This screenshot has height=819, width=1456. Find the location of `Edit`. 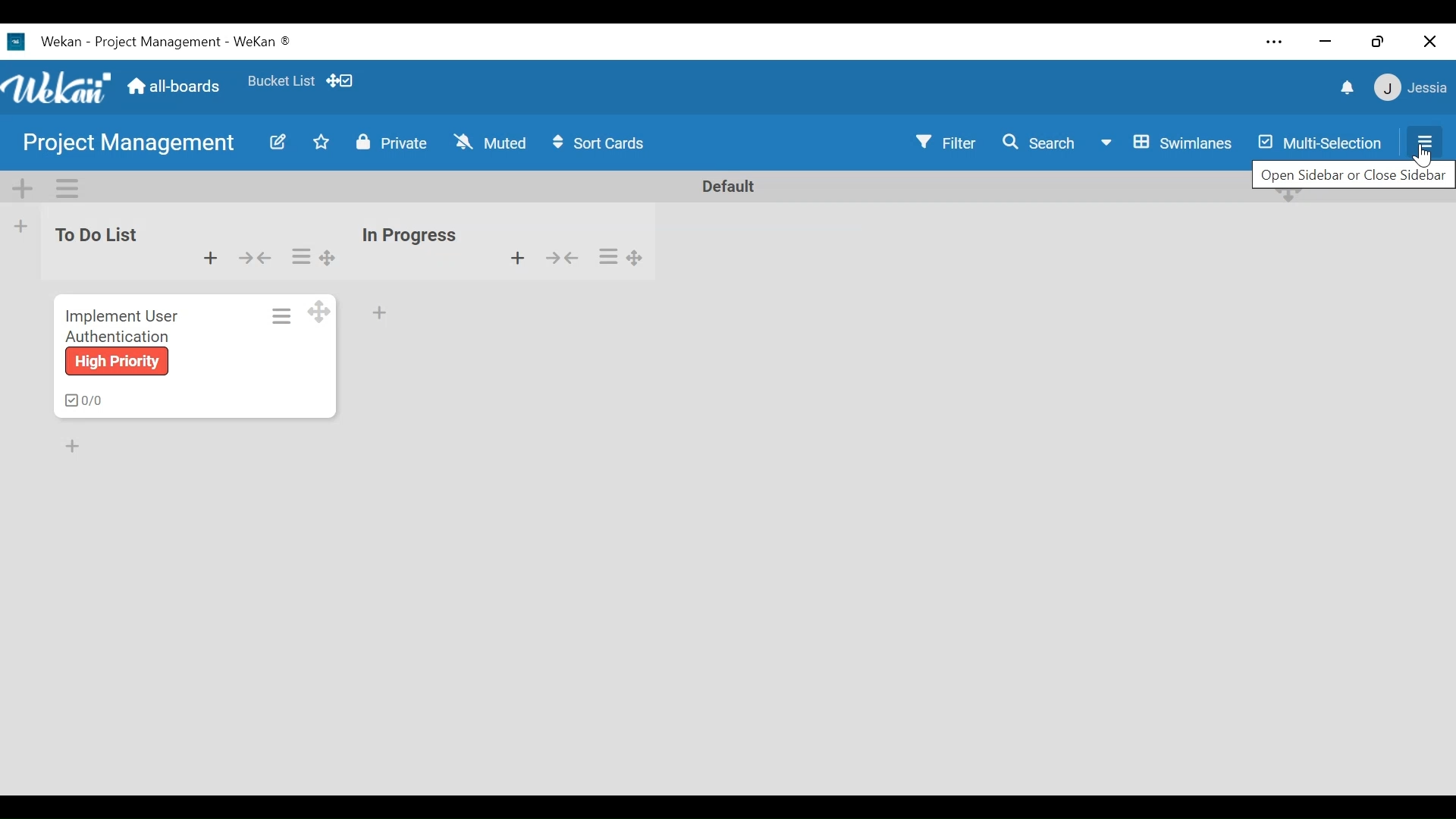

Edit is located at coordinates (275, 143).